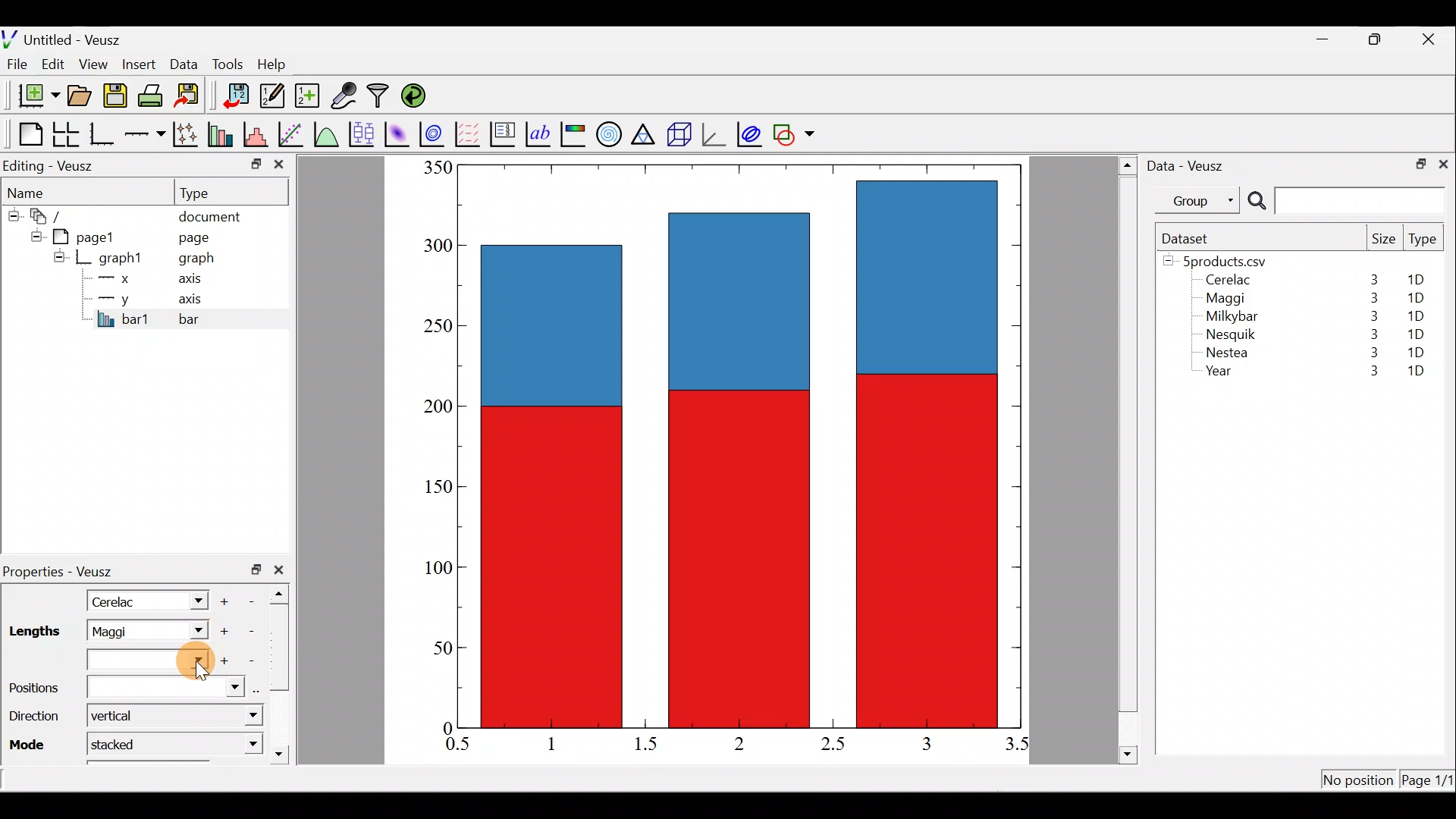 This screenshot has height=819, width=1456. I want to click on Mode, so click(31, 743).